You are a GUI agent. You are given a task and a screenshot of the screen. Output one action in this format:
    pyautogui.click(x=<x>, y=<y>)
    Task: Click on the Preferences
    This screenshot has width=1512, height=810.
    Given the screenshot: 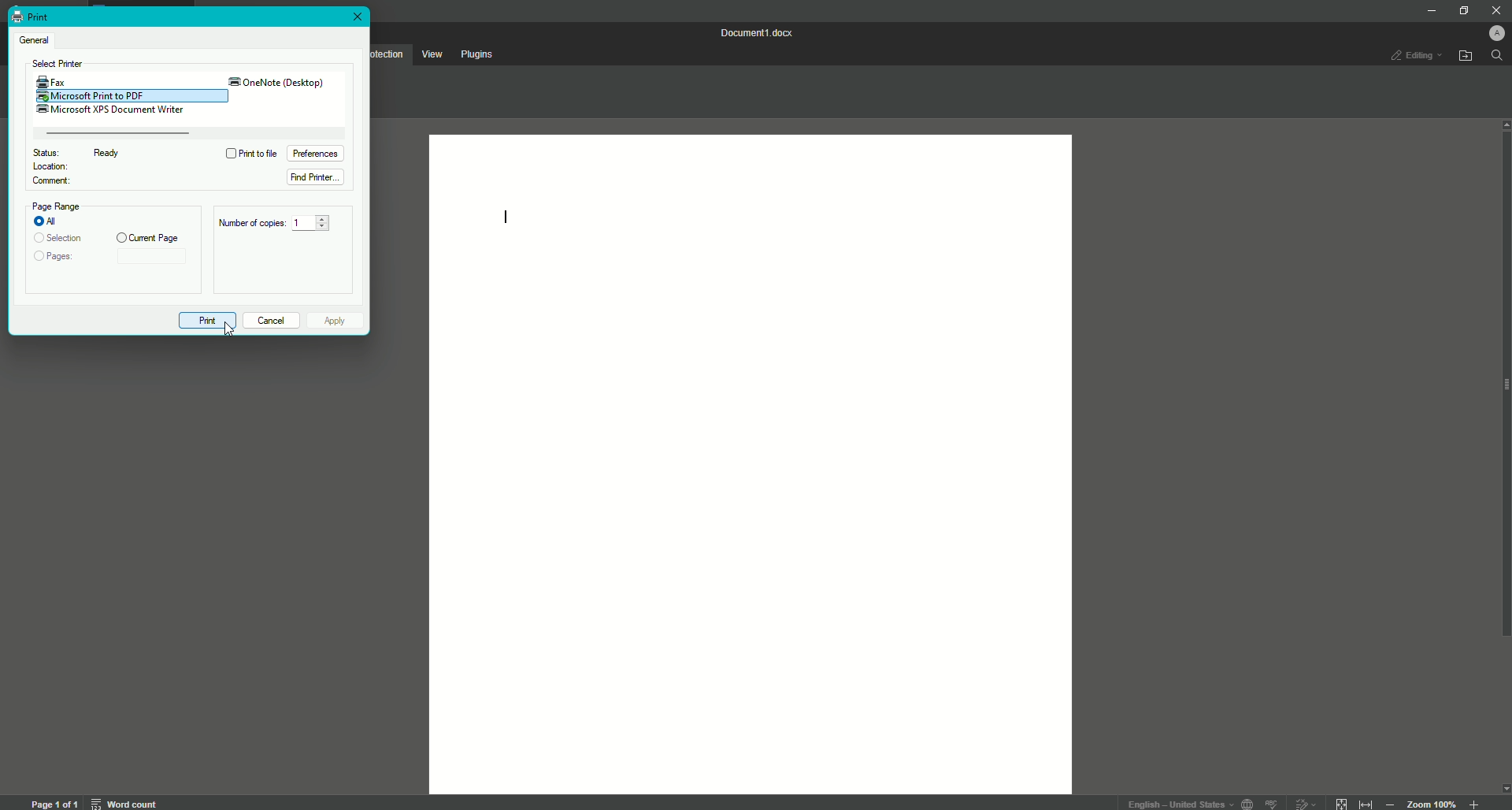 What is the action you would take?
    pyautogui.click(x=319, y=153)
    